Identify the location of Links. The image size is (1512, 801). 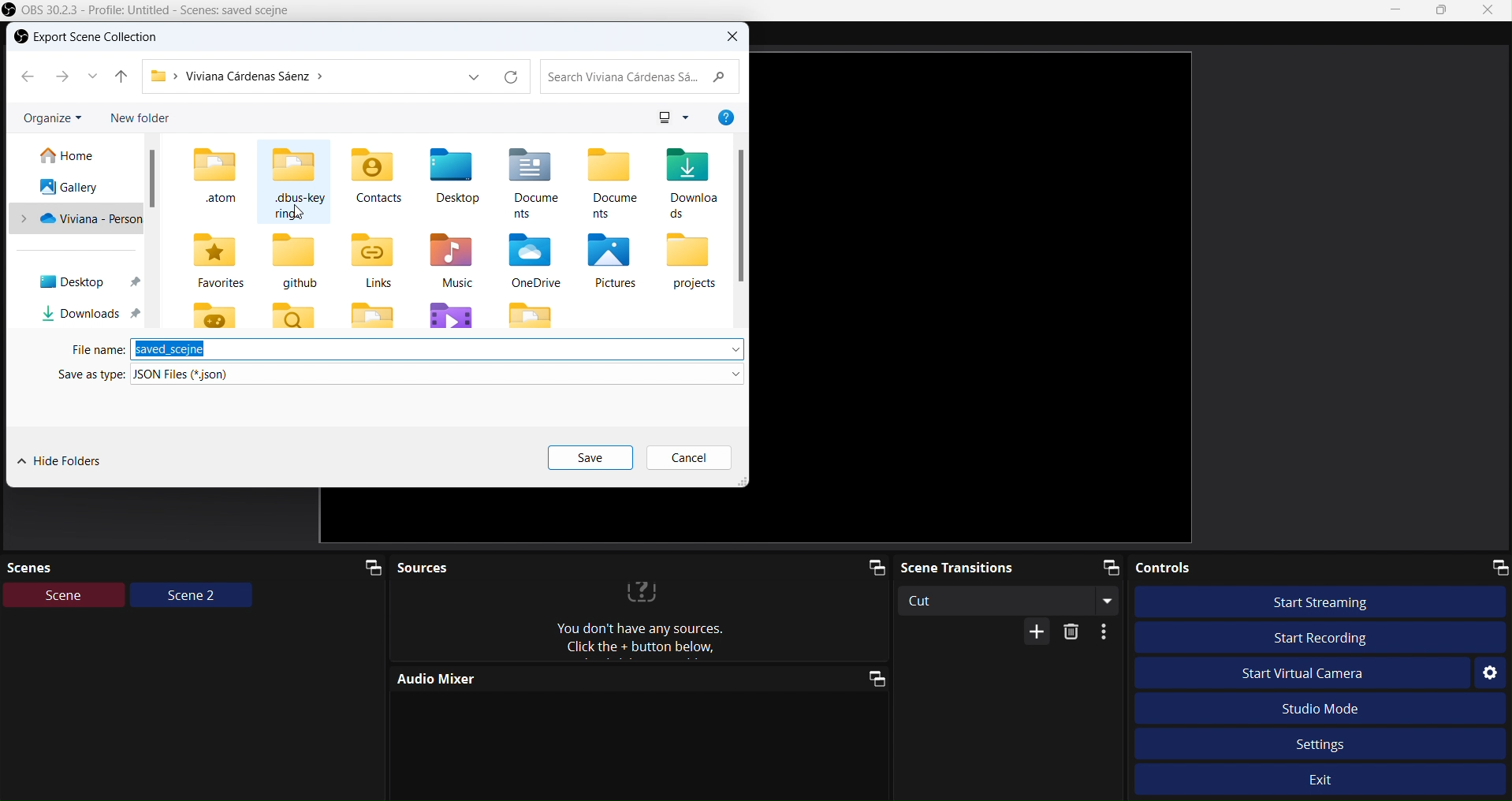
(371, 259).